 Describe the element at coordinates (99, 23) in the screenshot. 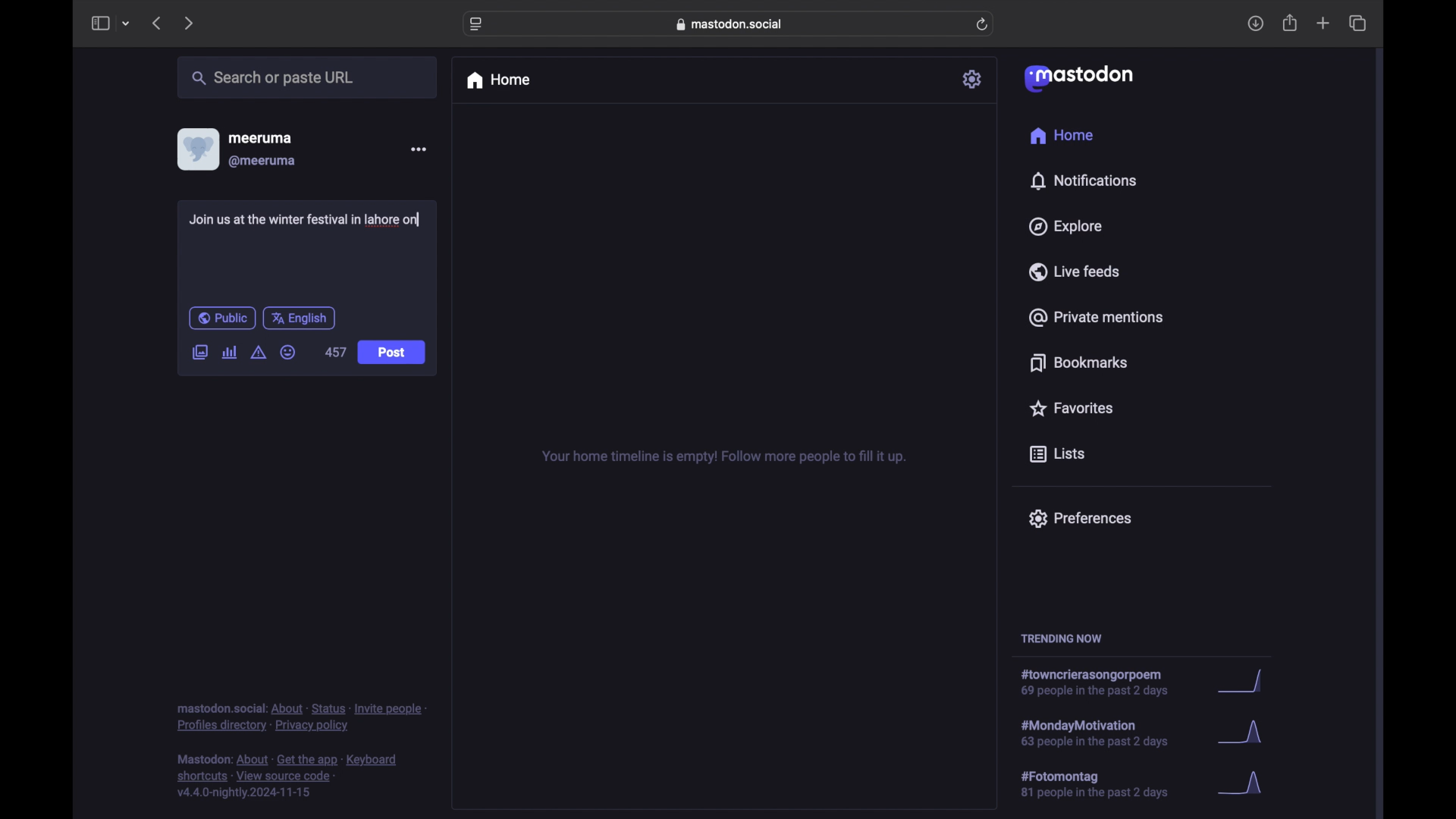

I see `sidebar` at that location.